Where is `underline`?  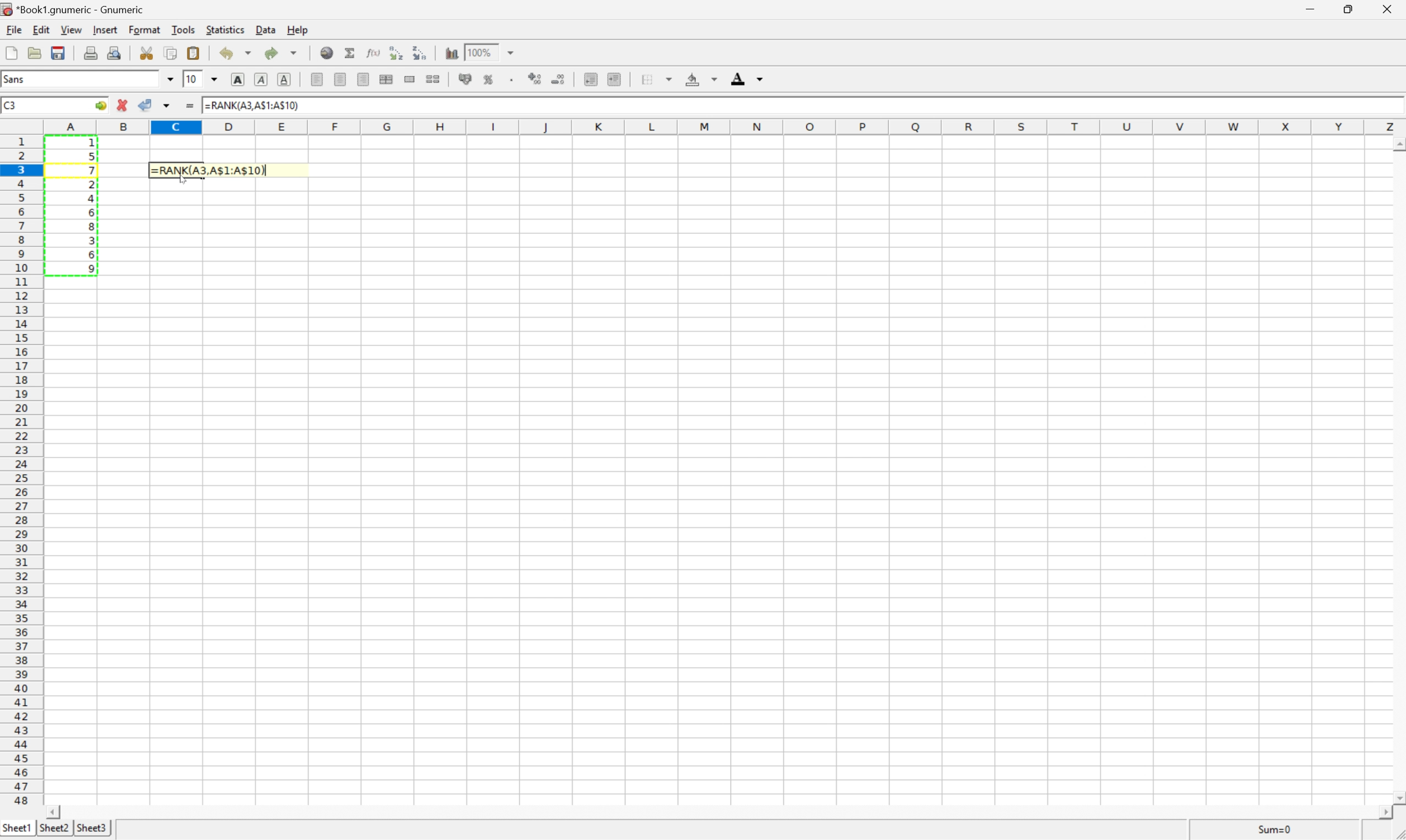
underline is located at coordinates (284, 79).